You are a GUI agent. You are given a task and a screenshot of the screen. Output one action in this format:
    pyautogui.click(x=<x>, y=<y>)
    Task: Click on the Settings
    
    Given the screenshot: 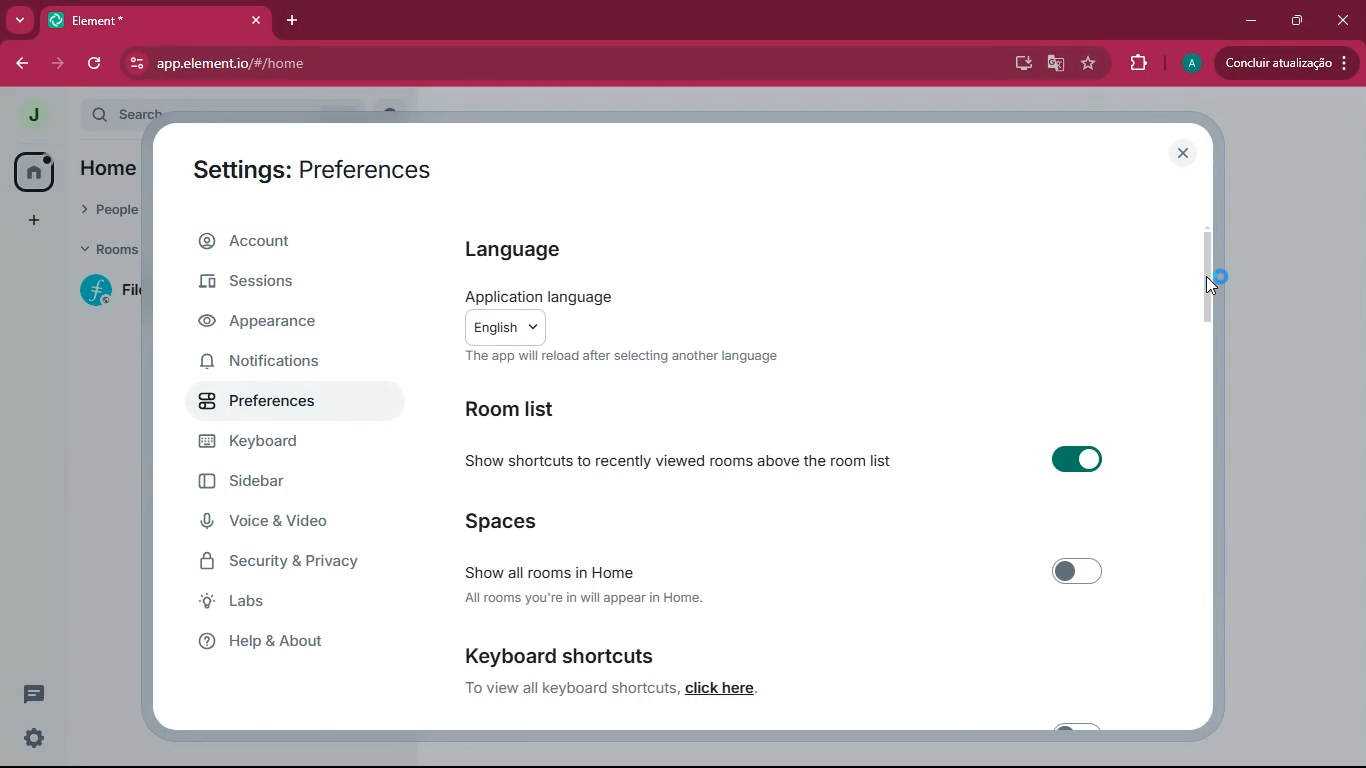 What is the action you would take?
    pyautogui.click(x=37, y=741)
    